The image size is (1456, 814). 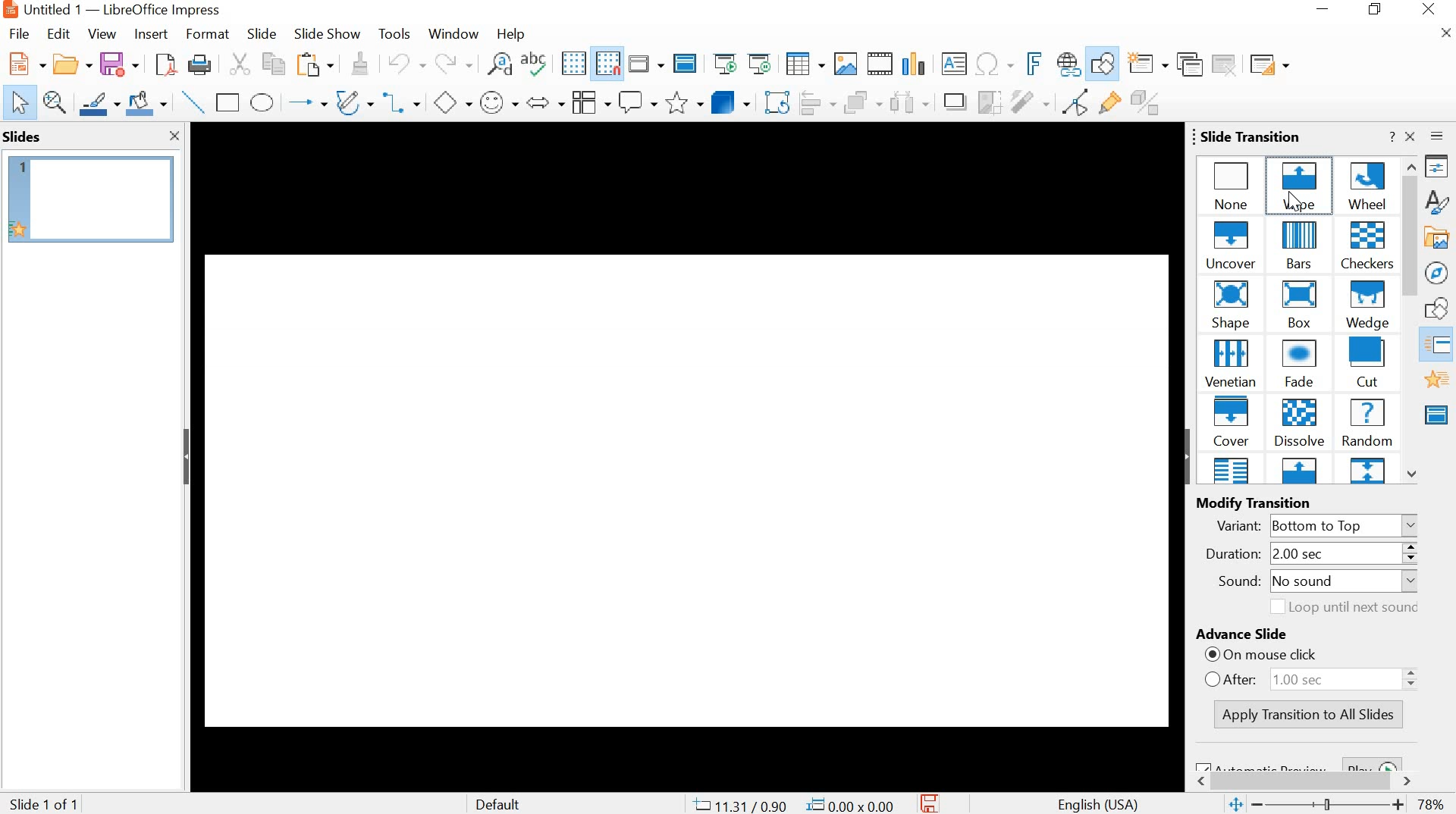 What do you see at coordinates (100, 33) in the screenshot?
I see `VIEW` at bounding box center [100, 33].